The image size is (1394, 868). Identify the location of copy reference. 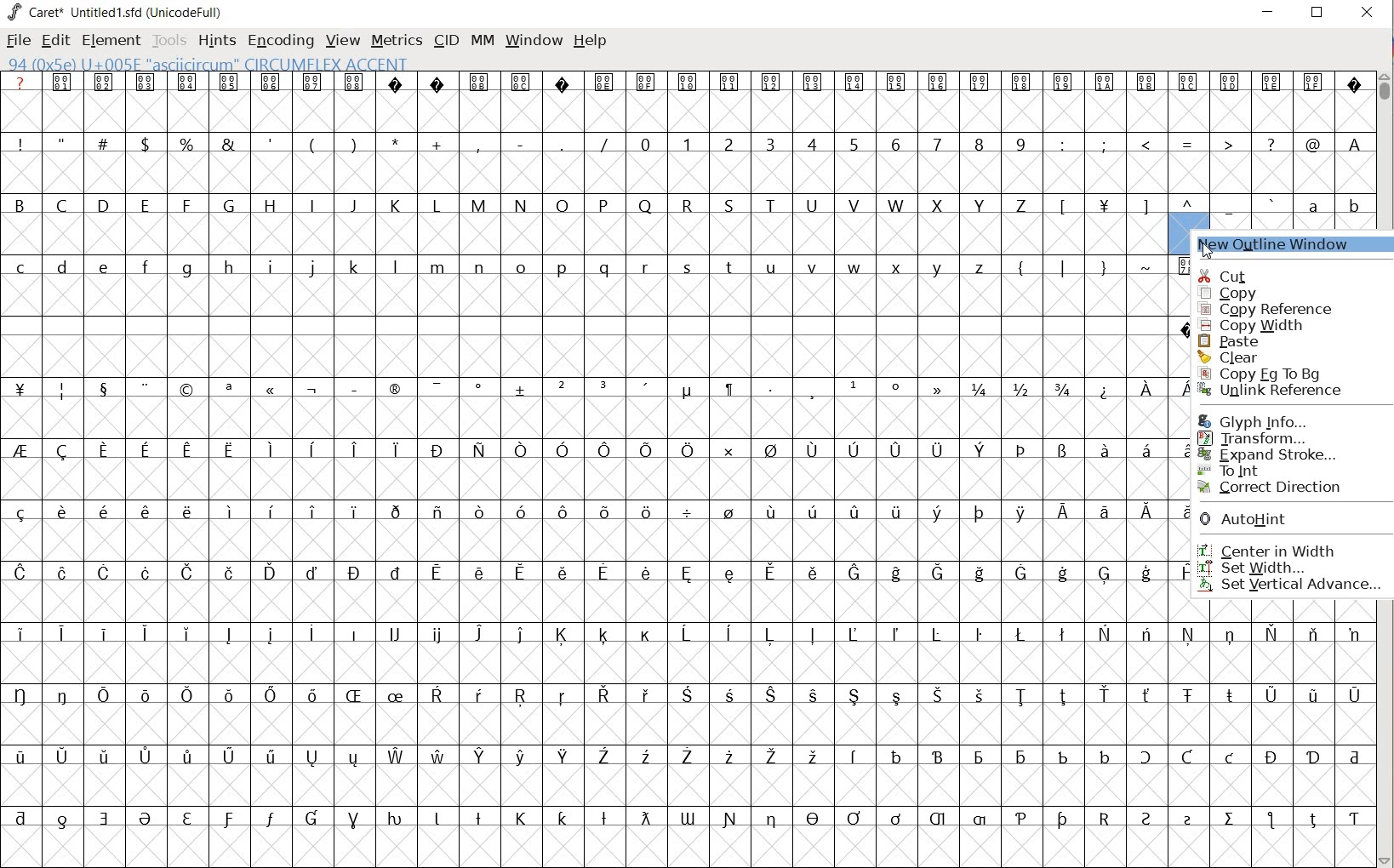
(1265, 310).